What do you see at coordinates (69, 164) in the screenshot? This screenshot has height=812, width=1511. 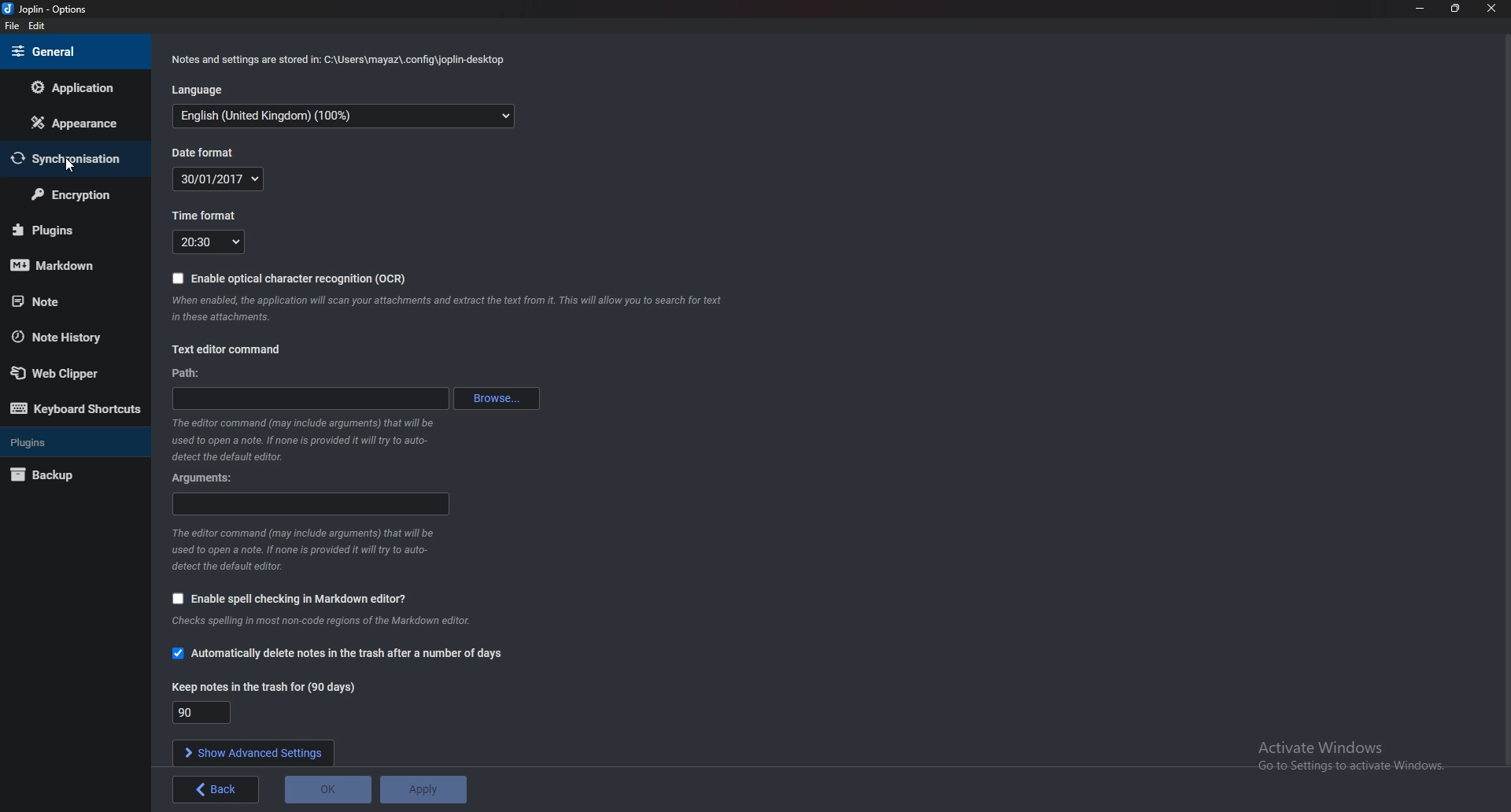 I see `Mouse Cursor` at bounding box center [69, 164].